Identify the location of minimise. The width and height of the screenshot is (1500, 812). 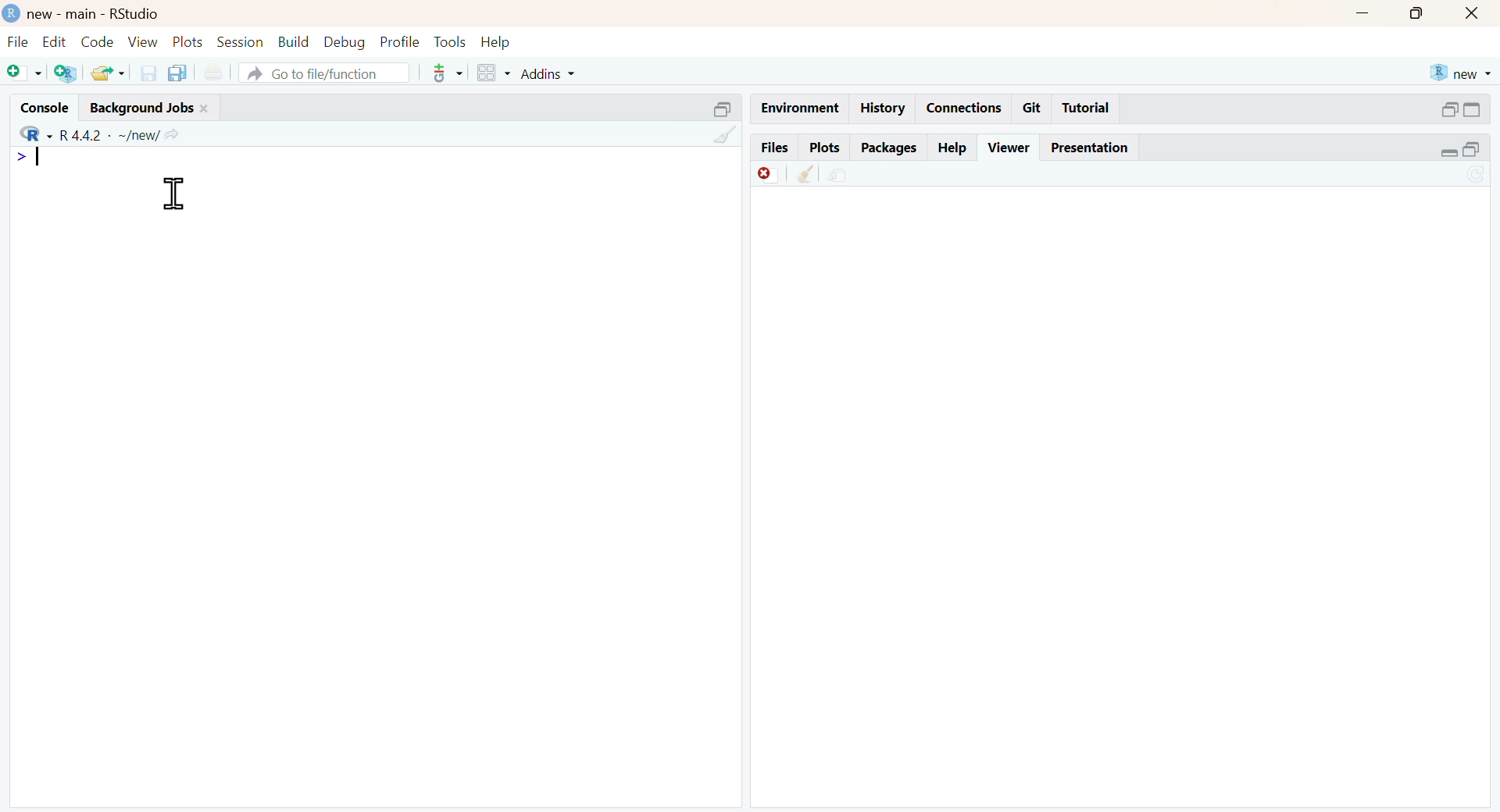
(1364, 12).